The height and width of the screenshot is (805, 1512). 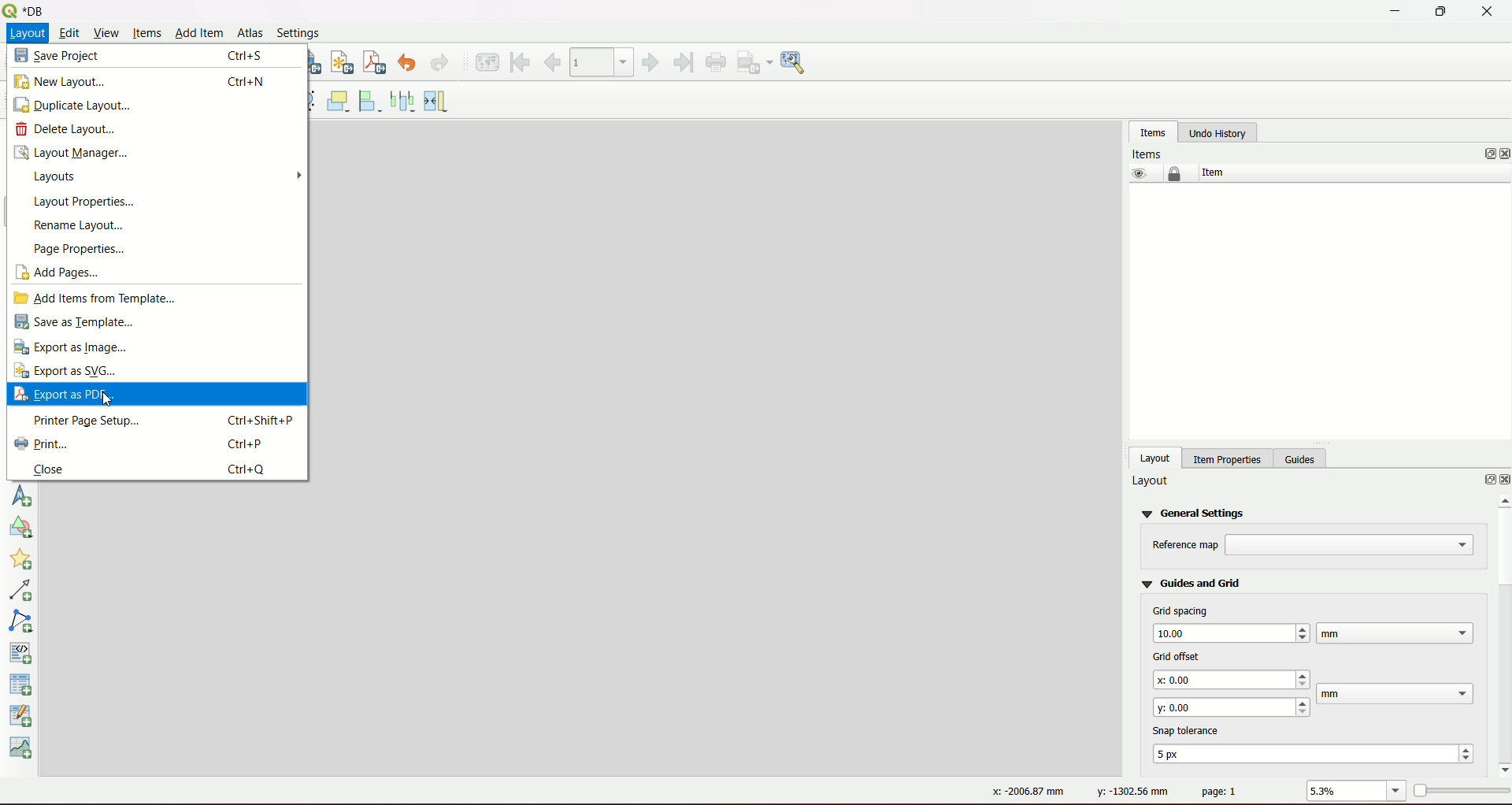 I want to click on close, so click(x=1487, y=12).